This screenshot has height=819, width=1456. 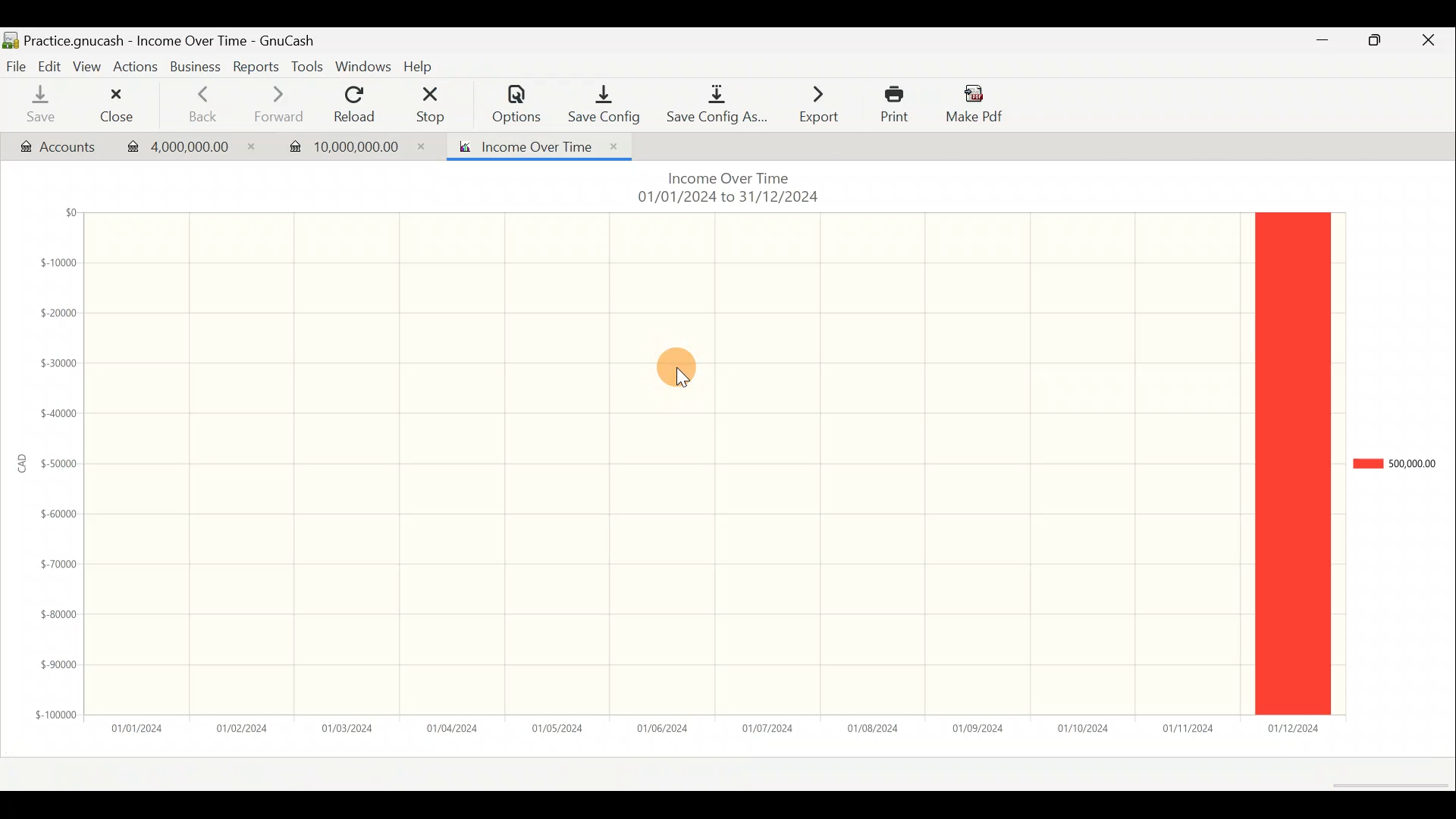 What do you see at coordinates (821, 103) in the screenshot?
I see `Export` at bounding box center [821, 103].